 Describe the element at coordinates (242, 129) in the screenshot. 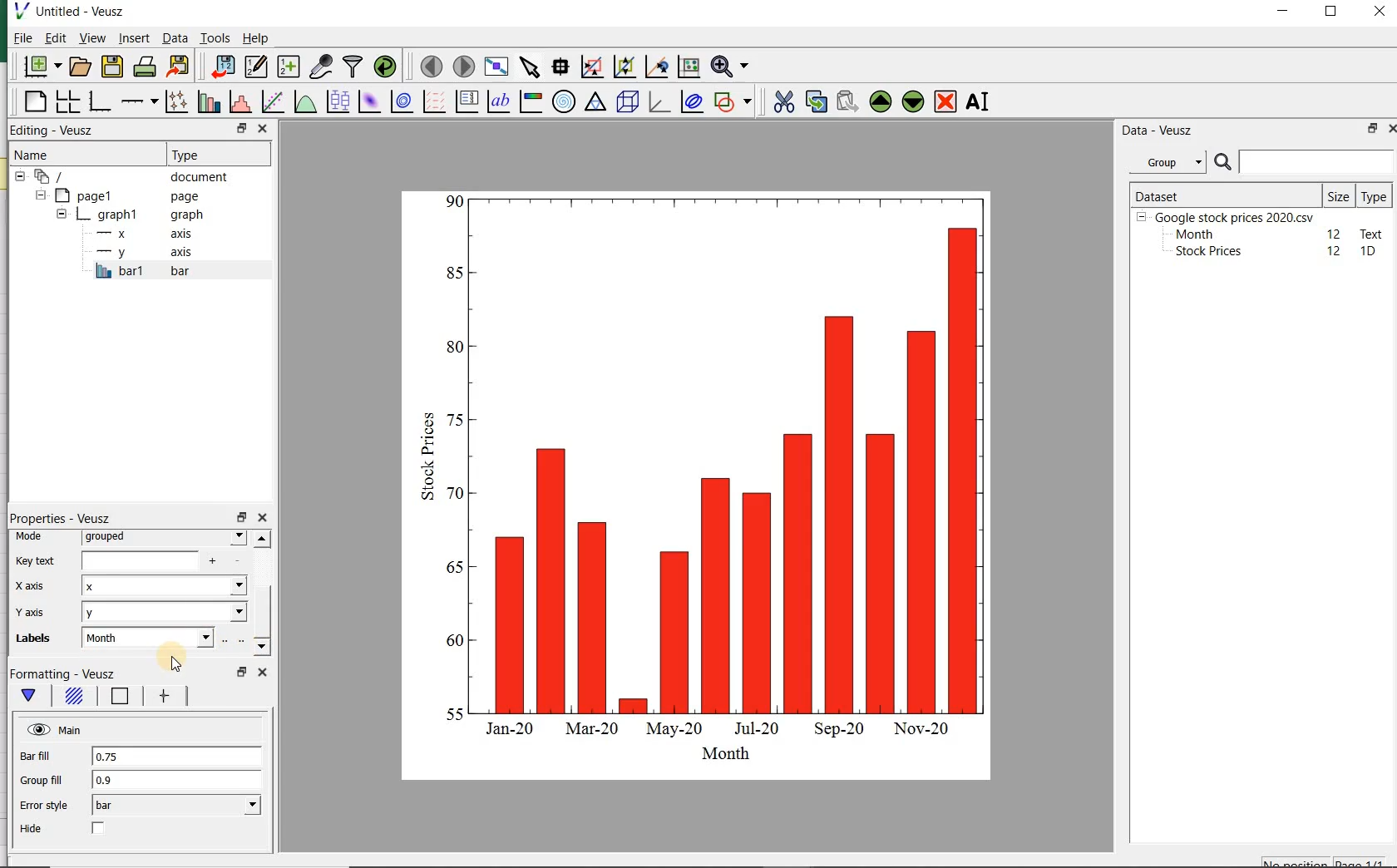

I see `restore` at that location.